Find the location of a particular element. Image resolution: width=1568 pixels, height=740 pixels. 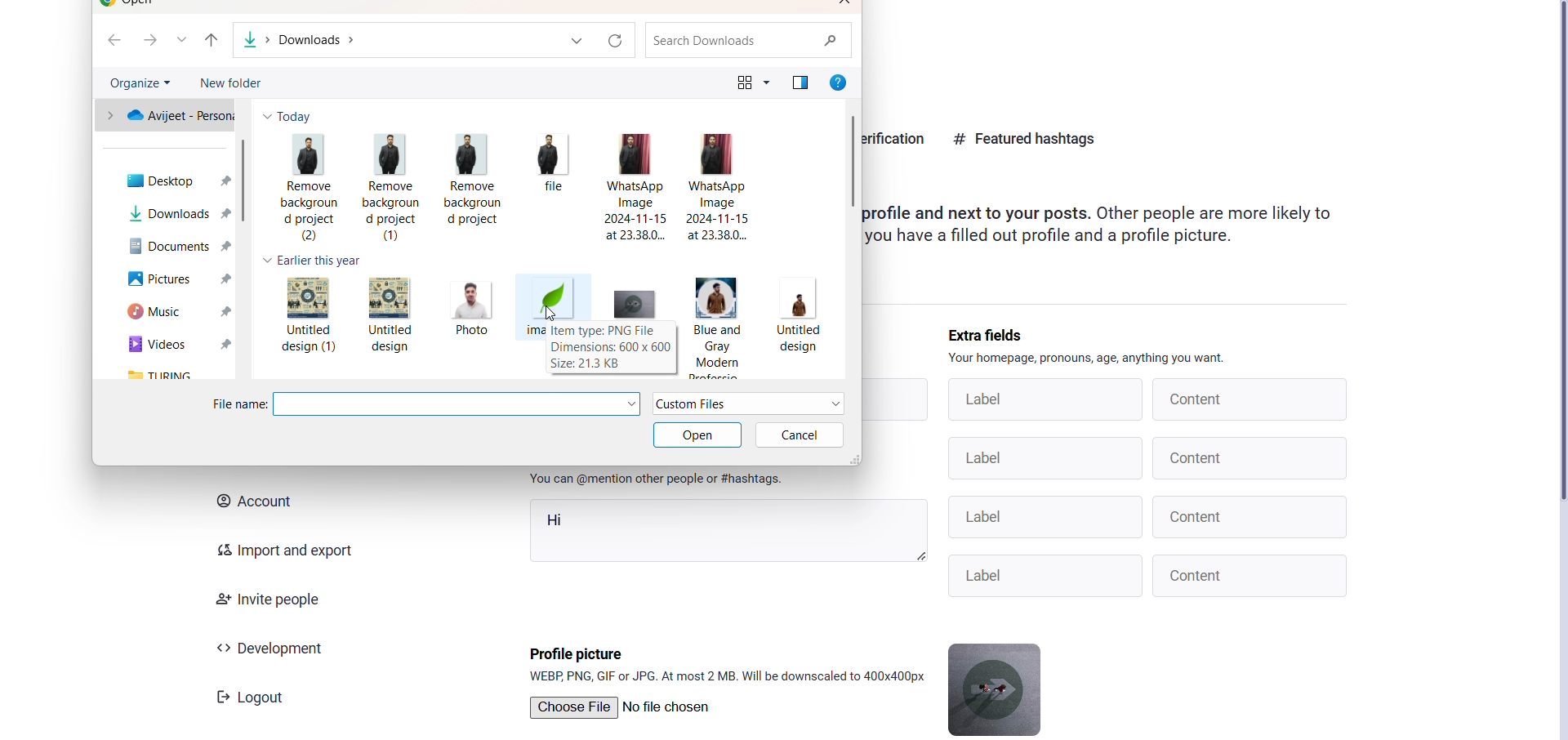

turing is located at coordinates (180, 375).